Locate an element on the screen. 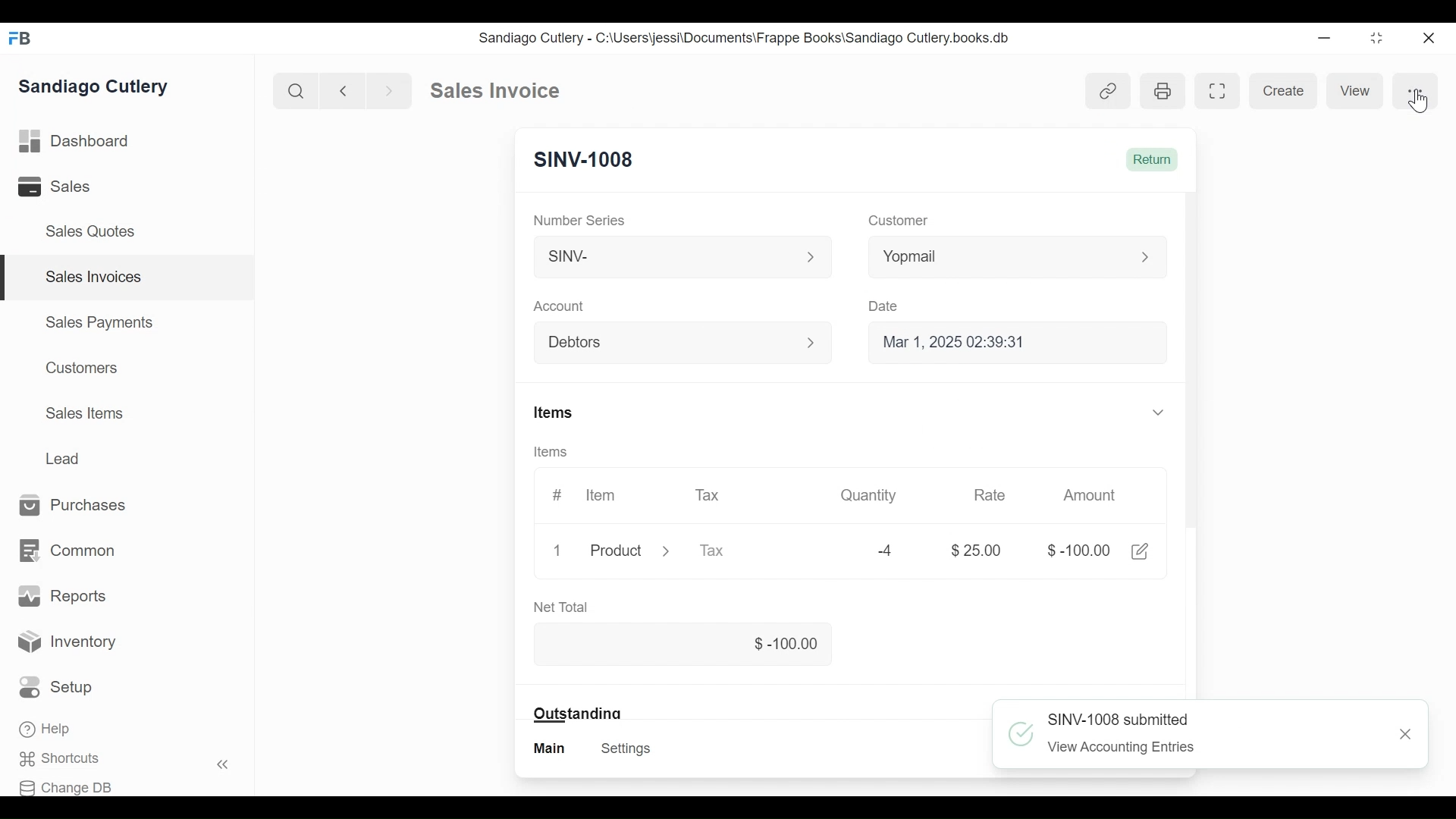  Previous is located at coordinates (344, 90).